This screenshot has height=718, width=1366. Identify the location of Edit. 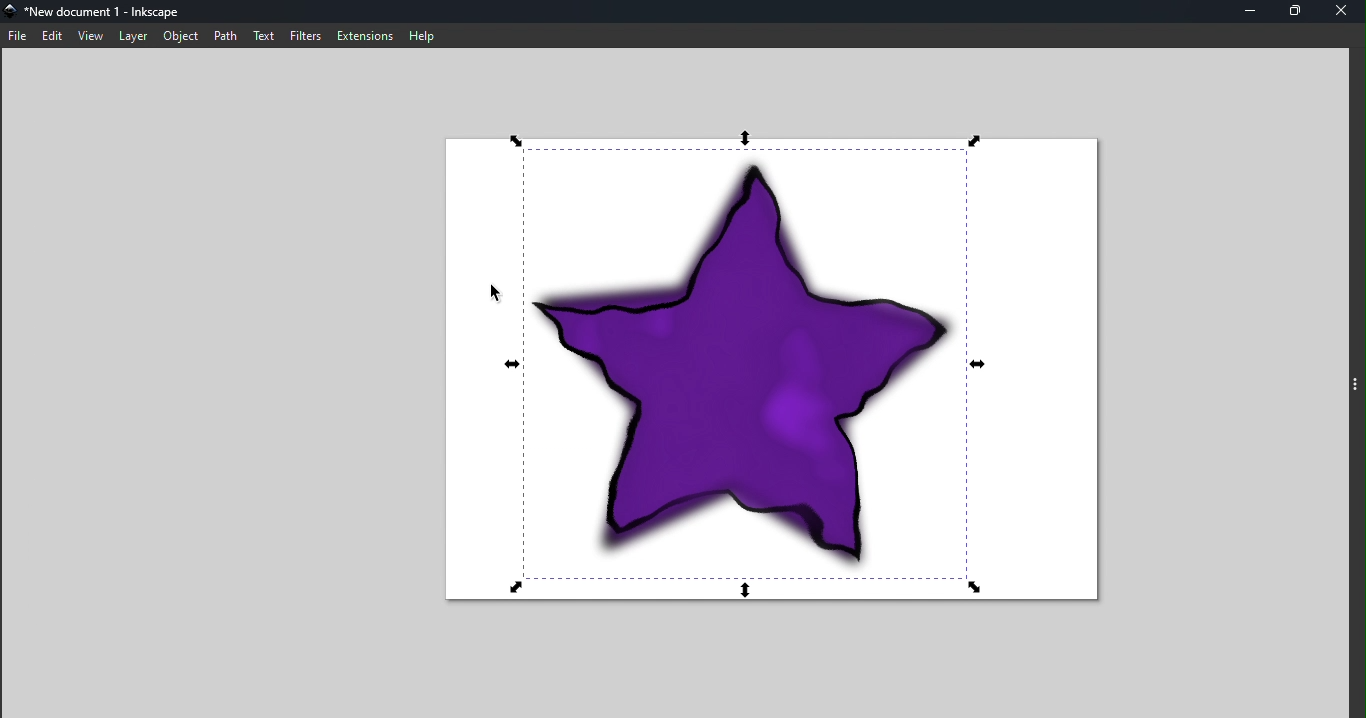
(55, 36).